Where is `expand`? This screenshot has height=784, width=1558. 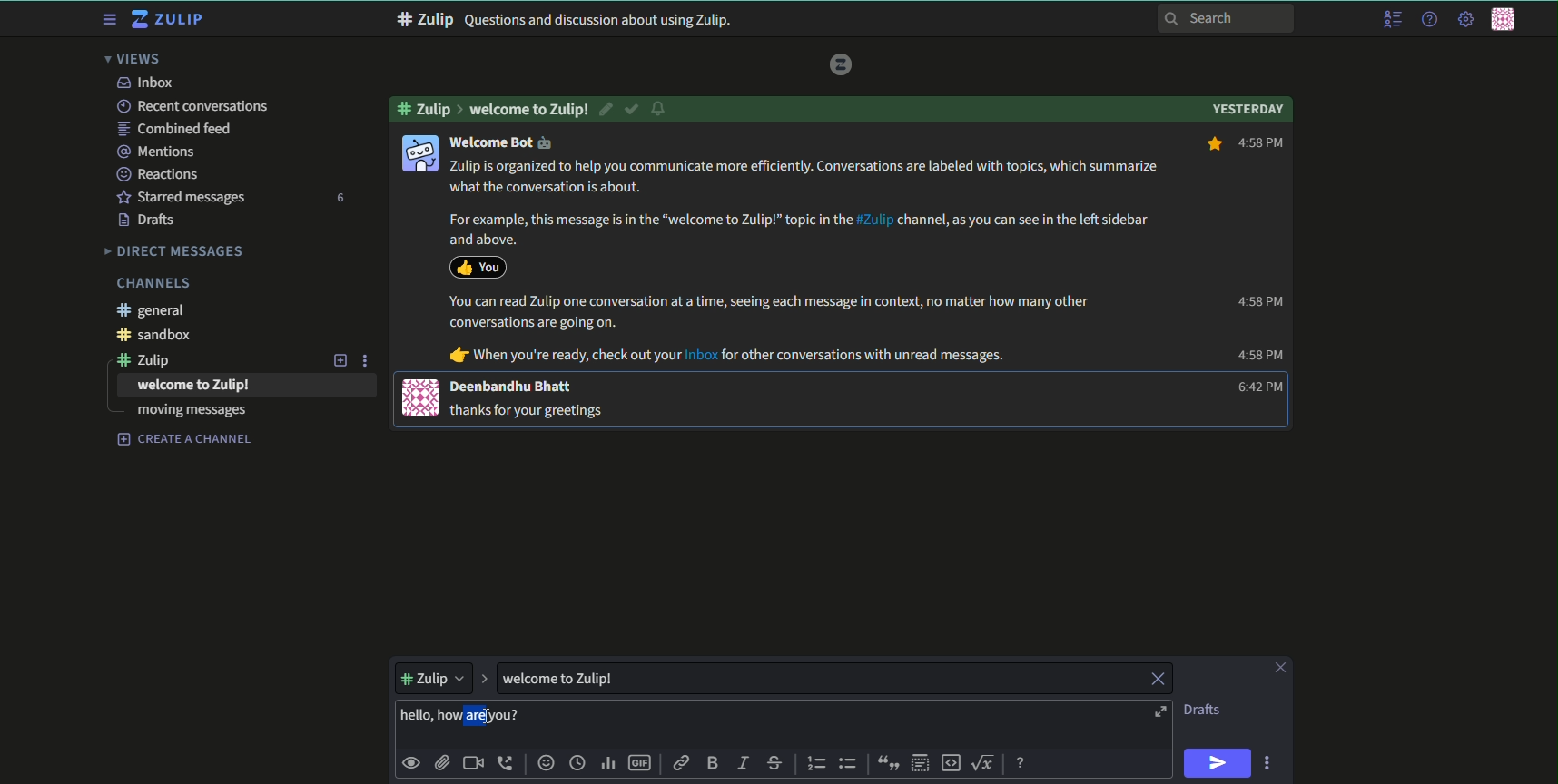 expand is located at coordinates (484, 677).